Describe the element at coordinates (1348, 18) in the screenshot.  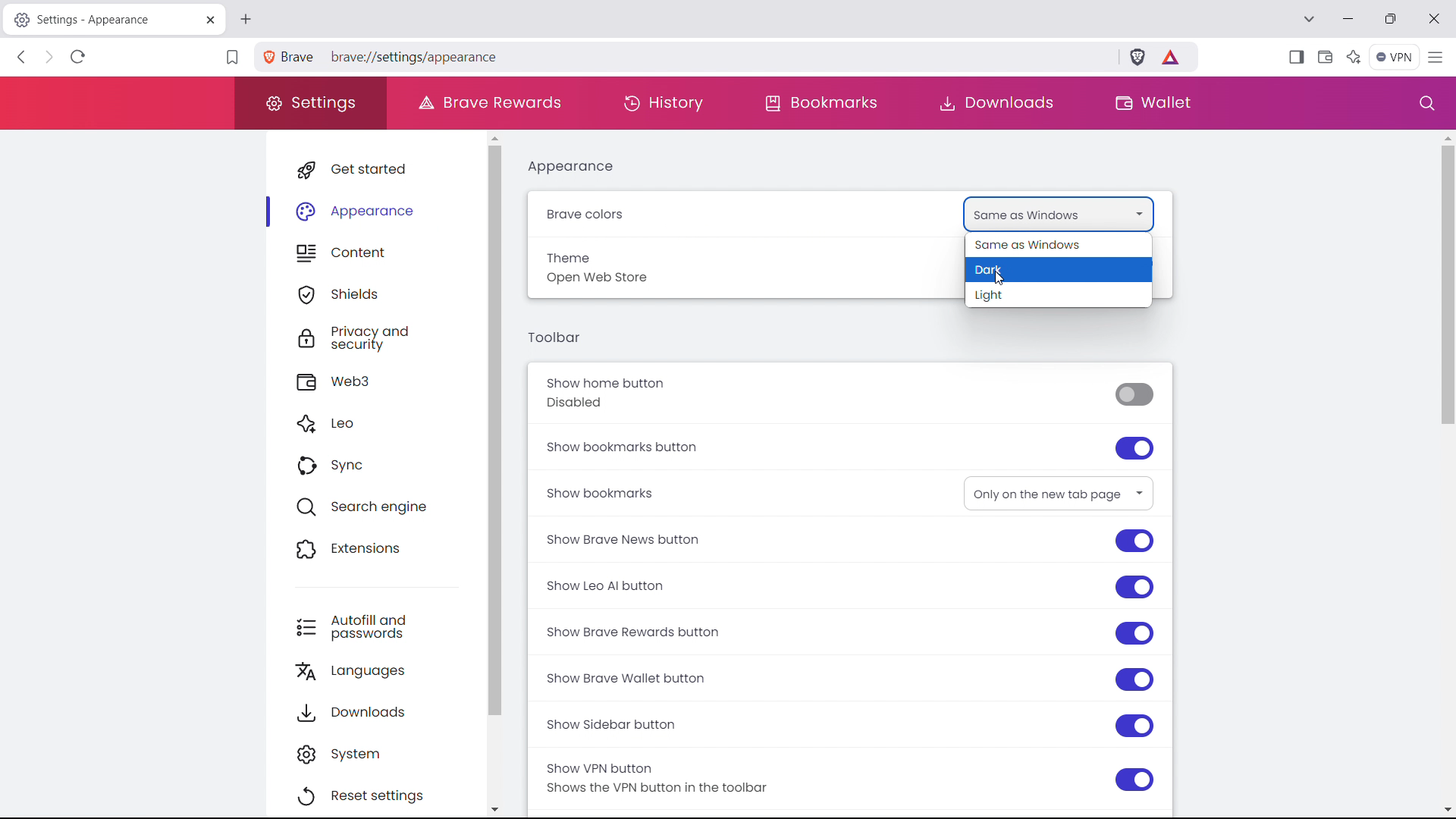
I see `minimize` at that location.